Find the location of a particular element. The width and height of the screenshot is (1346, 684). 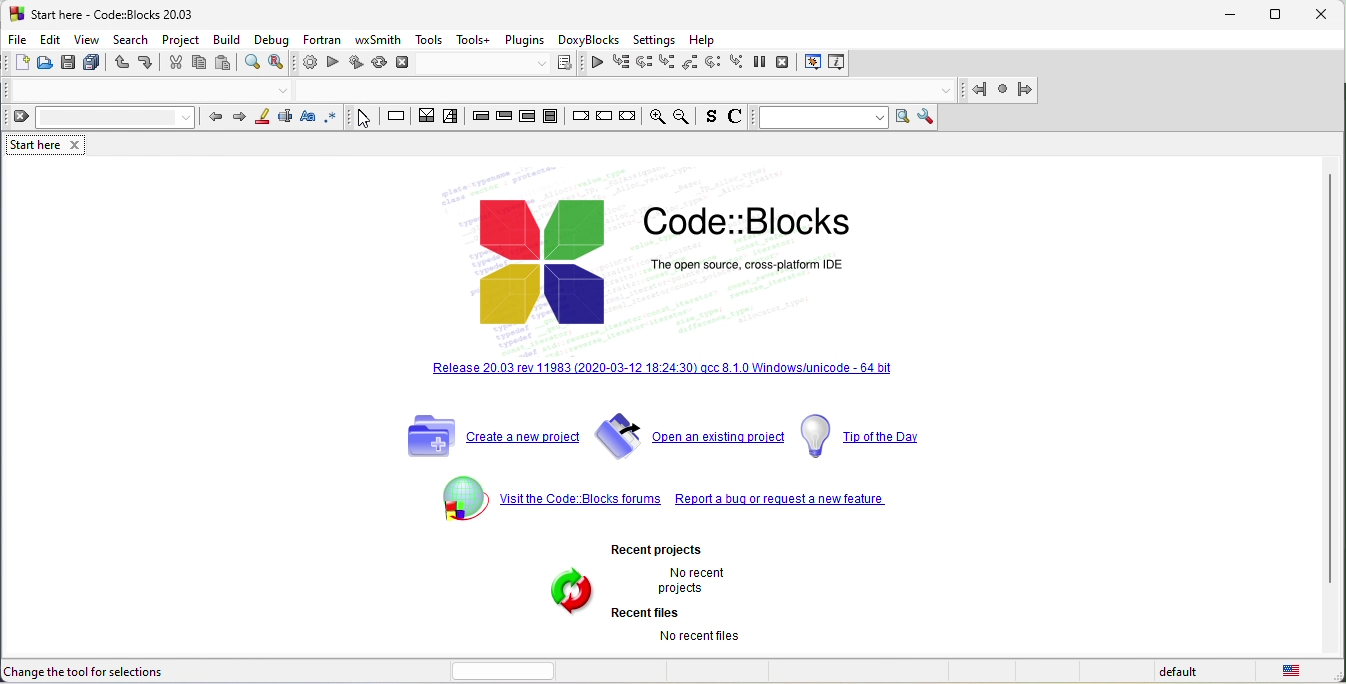

default is located at coordinates (1171, 673).